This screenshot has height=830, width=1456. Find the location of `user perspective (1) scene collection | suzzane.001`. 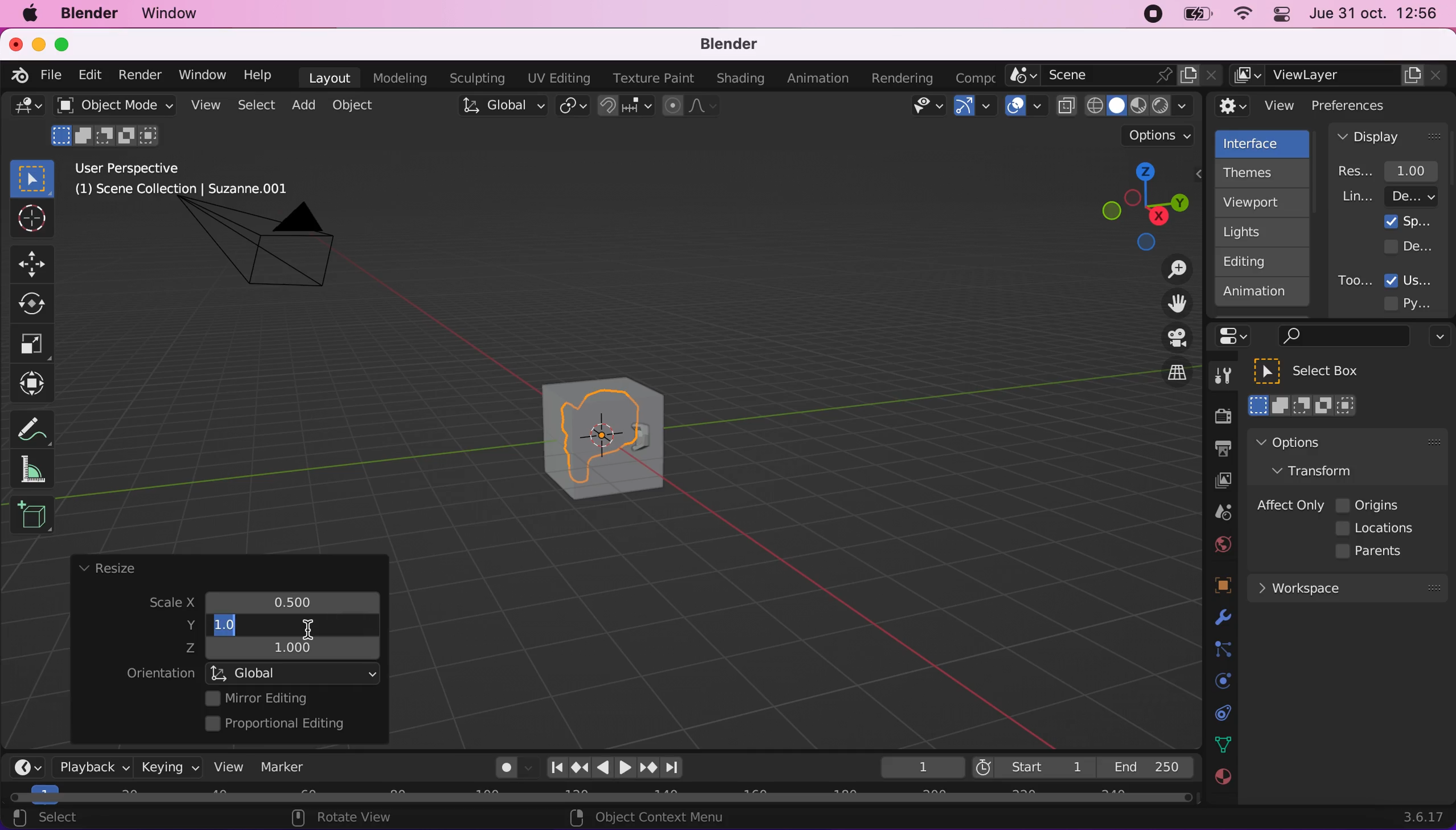

user perspective (1) scene collection | suzzane.001 is located at coordinates (190, 180).